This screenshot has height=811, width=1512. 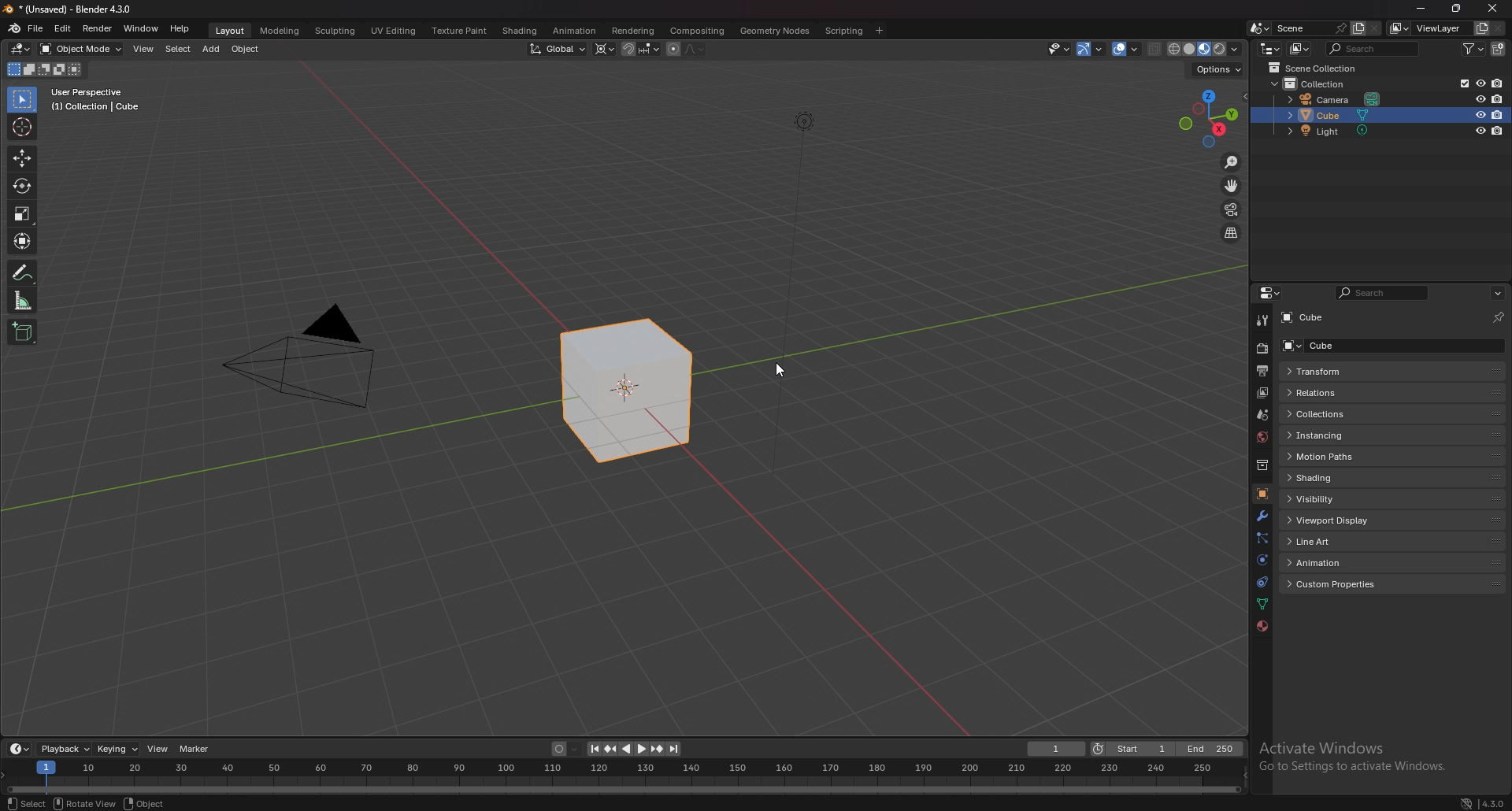 I want to click on constraints, so click(x=1260, y=582).